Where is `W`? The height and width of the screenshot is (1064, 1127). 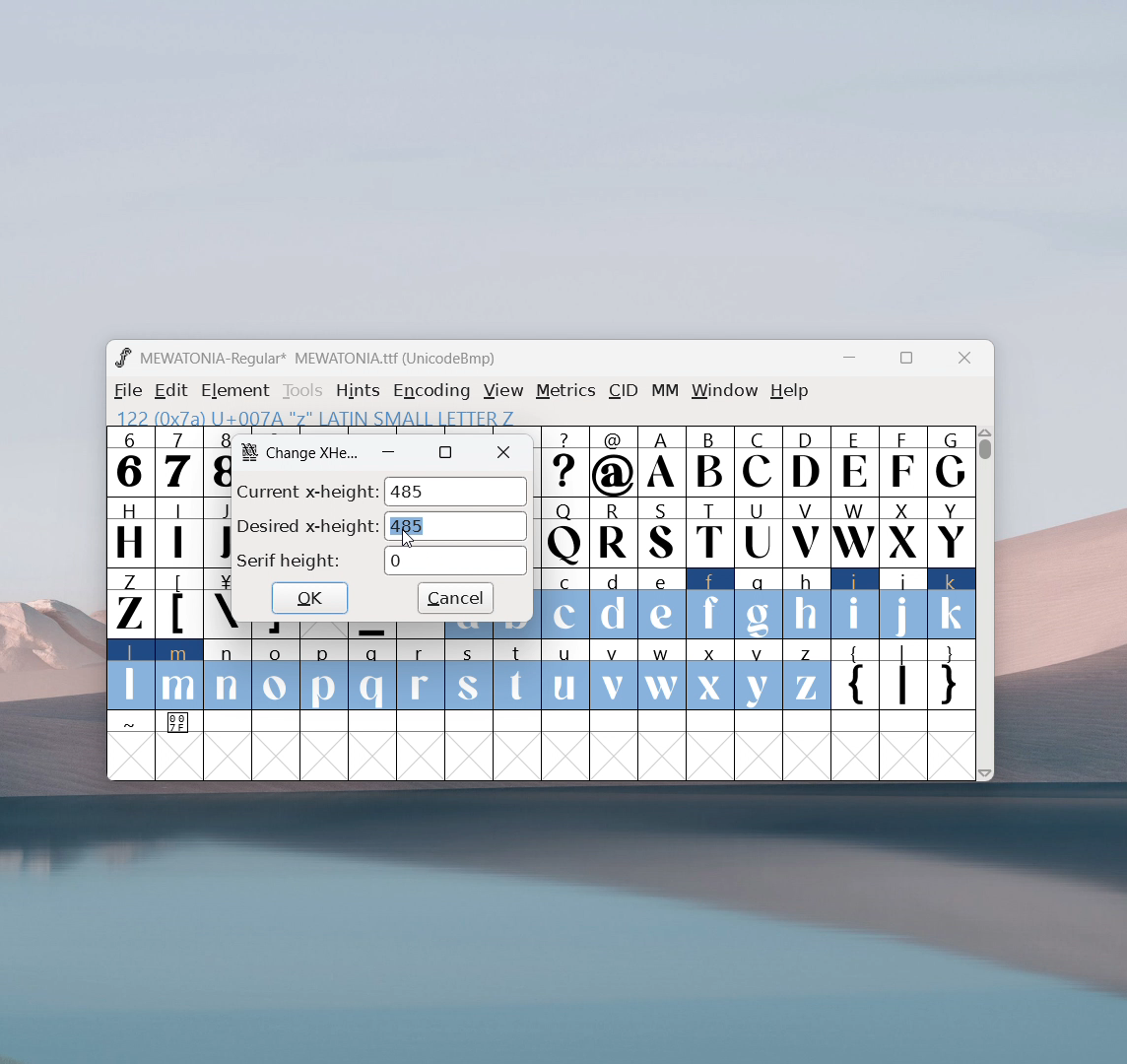
W is located at coordinates (853, 532).